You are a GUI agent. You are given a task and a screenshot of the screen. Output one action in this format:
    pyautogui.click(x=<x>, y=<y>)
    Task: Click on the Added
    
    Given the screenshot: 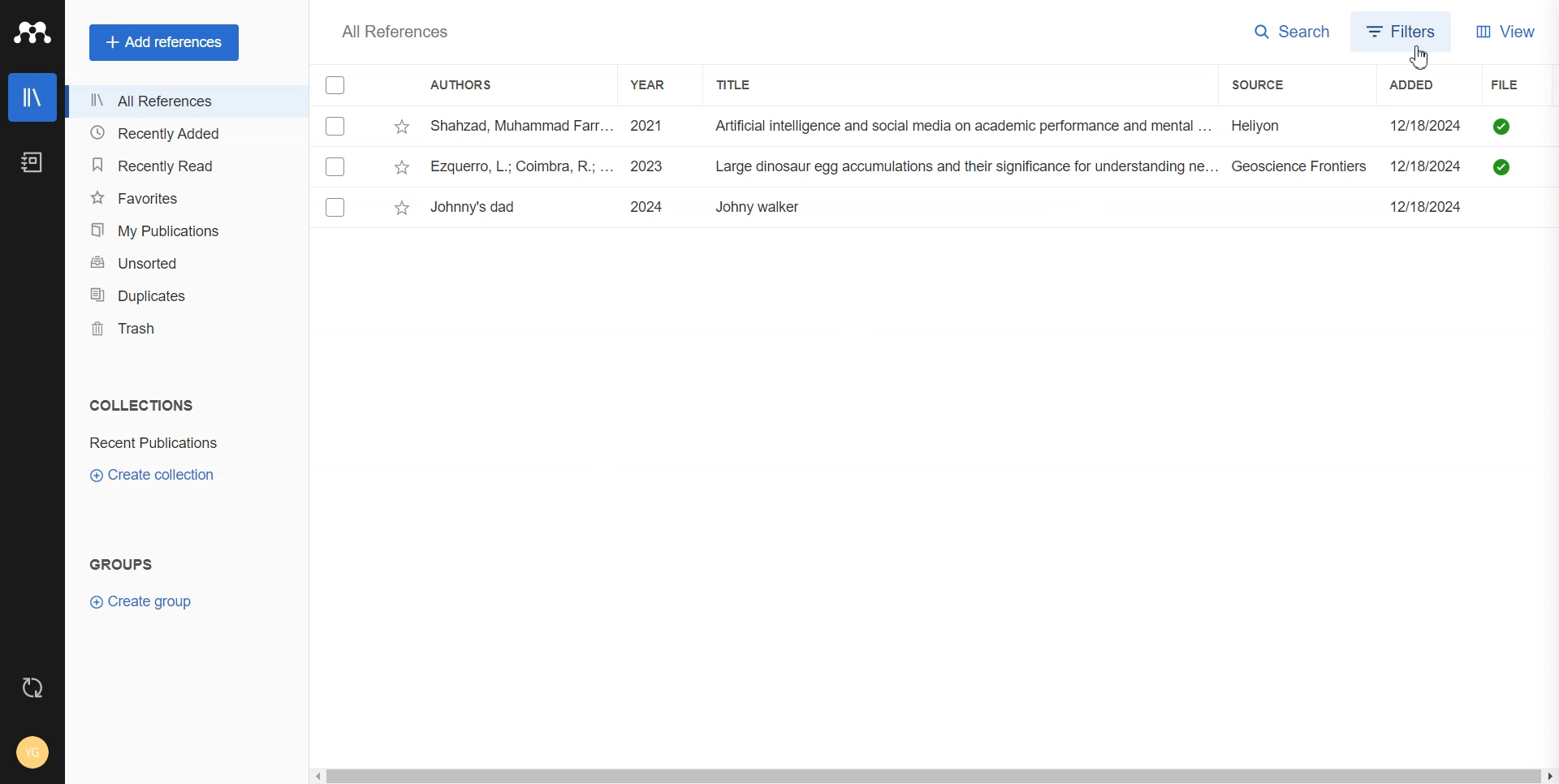 What is the action you would take?
    pyautogui.click(x=1428, y=84)
    